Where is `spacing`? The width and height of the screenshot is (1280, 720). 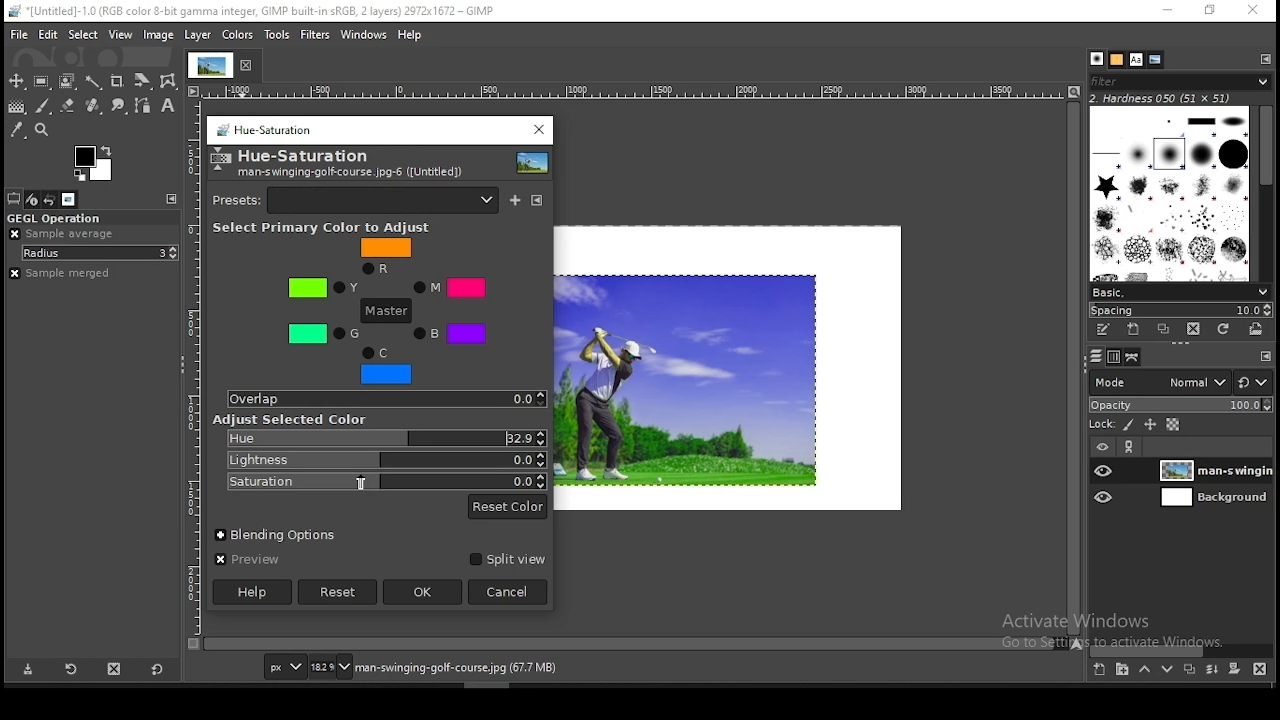 spacing is located at coordinates (1178, 310).